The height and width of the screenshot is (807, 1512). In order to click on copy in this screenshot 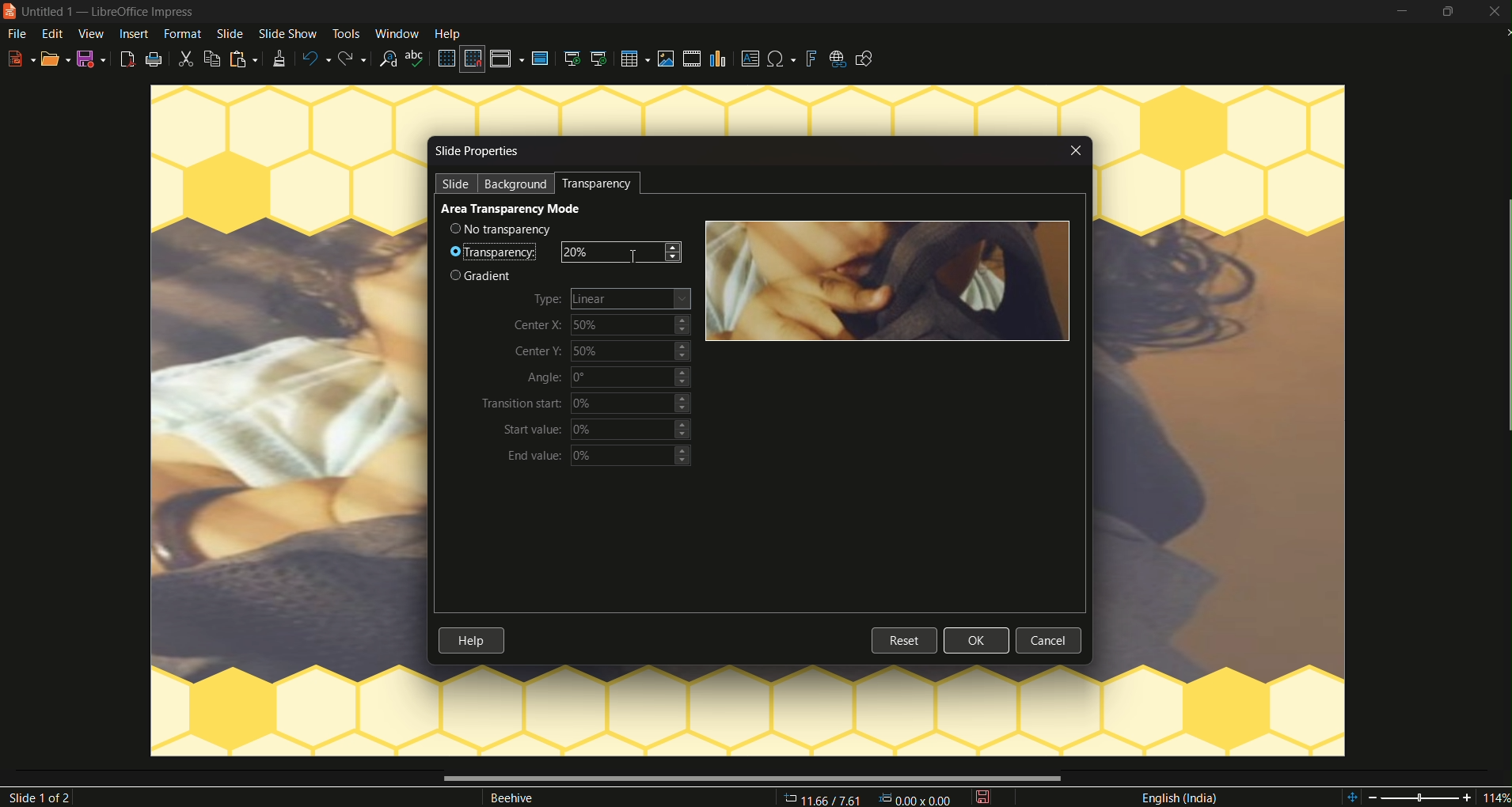, I will do `click(212, 59)`.